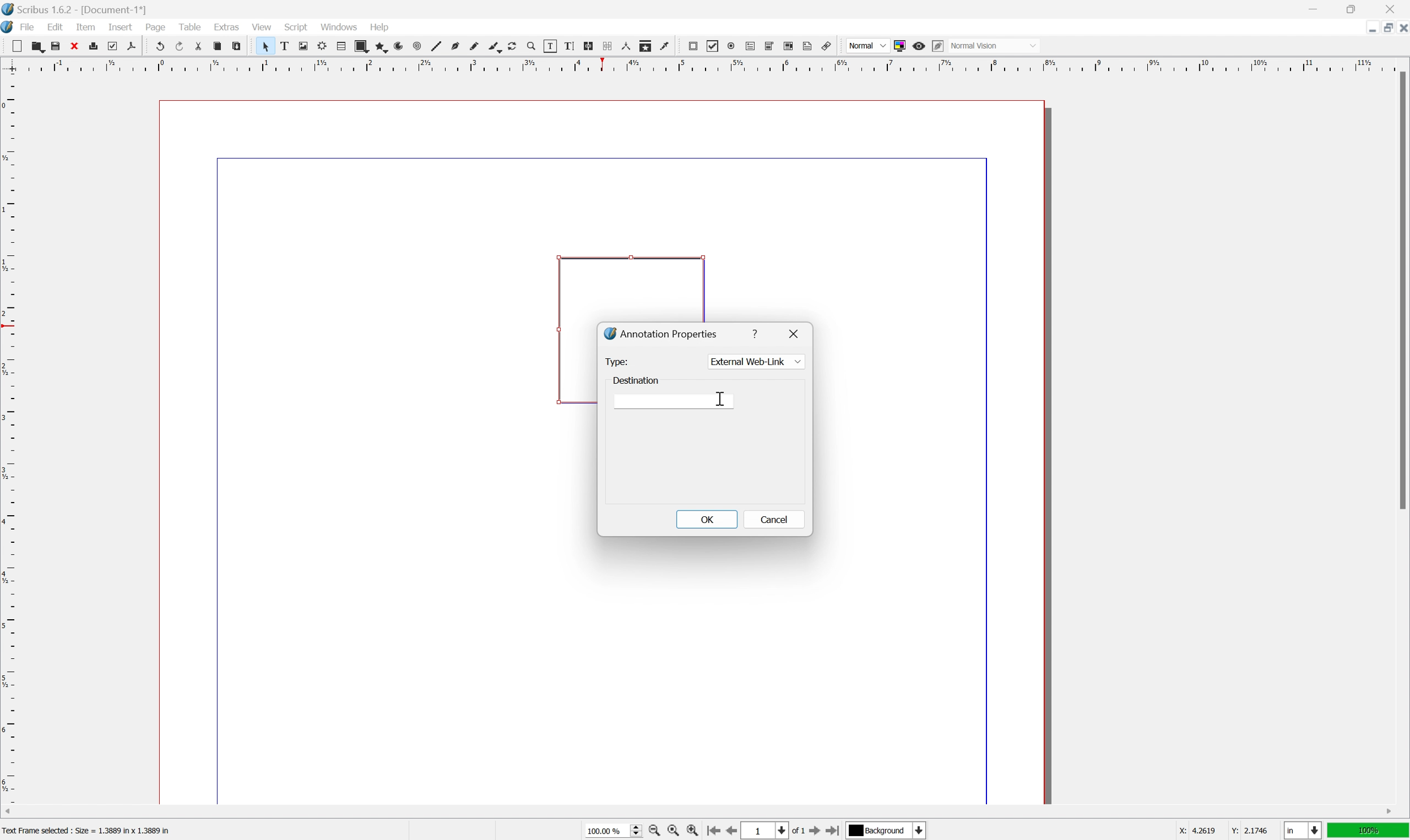  Describe the element at coordinates (635, 381) in the screenshot. I see `destination` at that location.